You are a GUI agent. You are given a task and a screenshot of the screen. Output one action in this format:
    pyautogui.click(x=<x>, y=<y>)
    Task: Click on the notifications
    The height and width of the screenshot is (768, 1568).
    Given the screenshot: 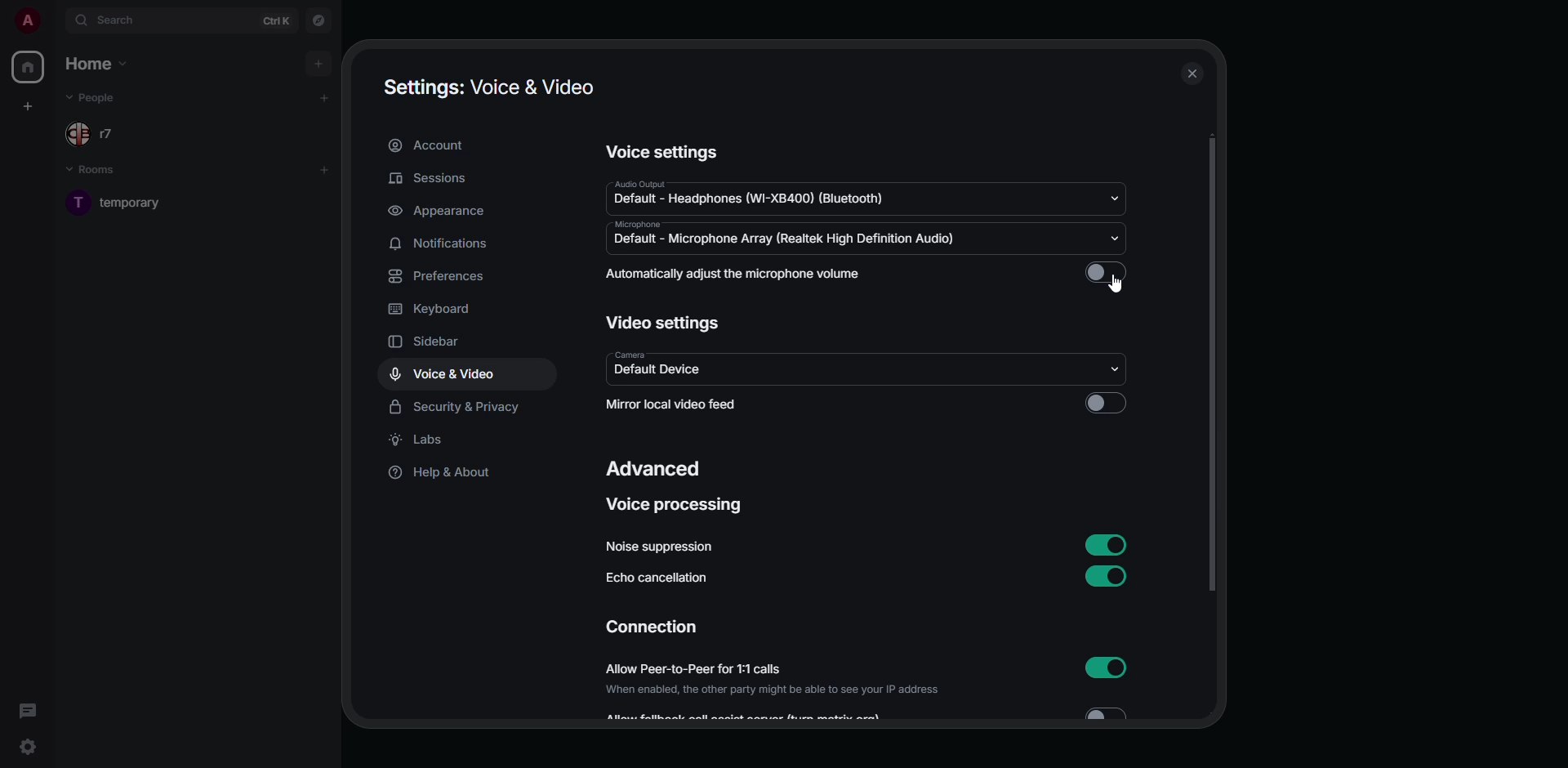 What is the action you would take?
    pyautogui.click(x=439, y=244)
    